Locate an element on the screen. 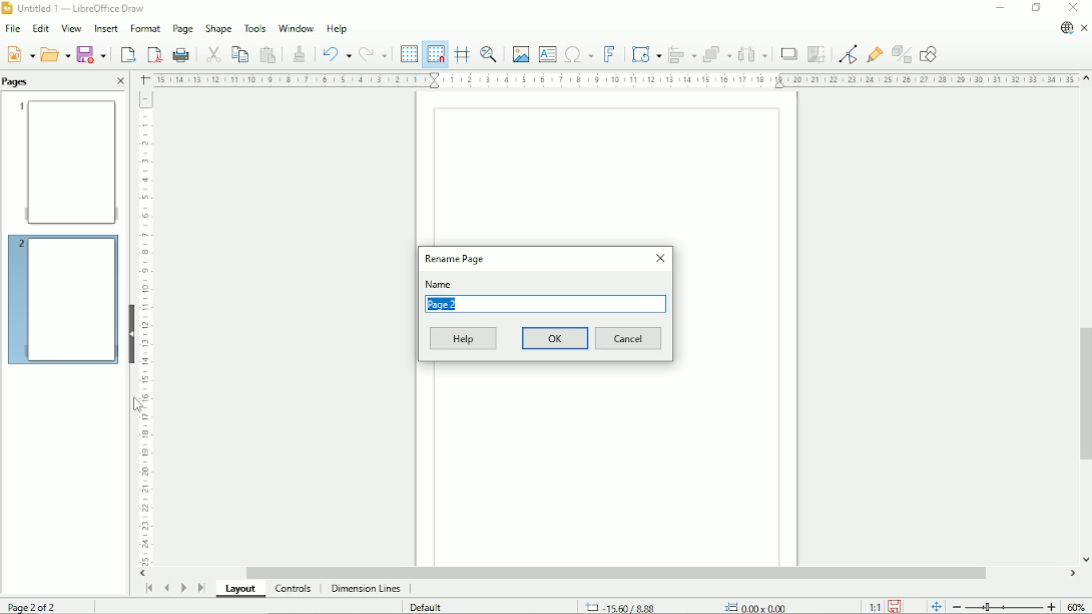 The image size is (1092, 614). Hide is located at coordinates (132, 332).